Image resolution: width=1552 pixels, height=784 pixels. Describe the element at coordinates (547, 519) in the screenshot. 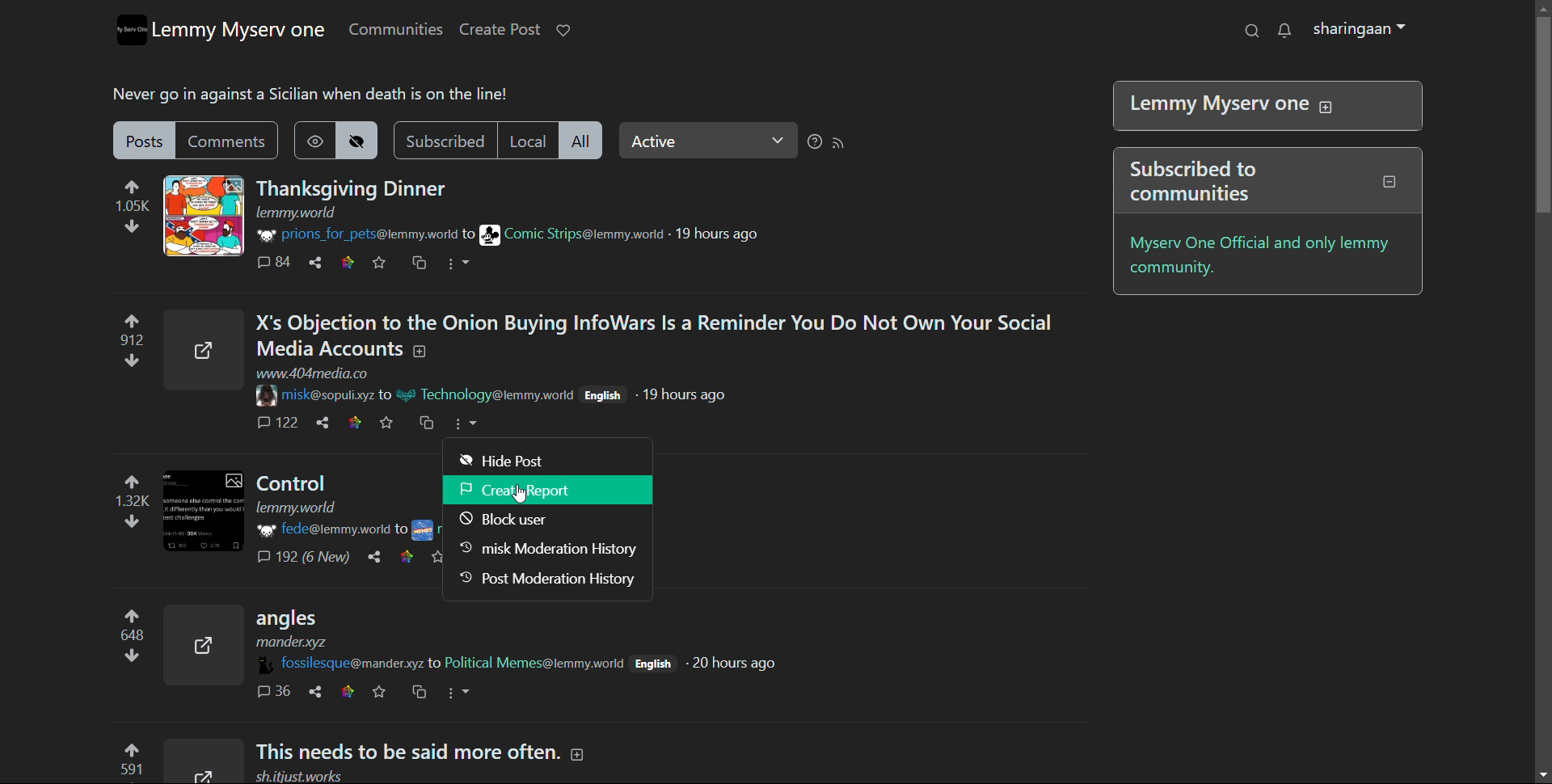

I see `block user` at that location.